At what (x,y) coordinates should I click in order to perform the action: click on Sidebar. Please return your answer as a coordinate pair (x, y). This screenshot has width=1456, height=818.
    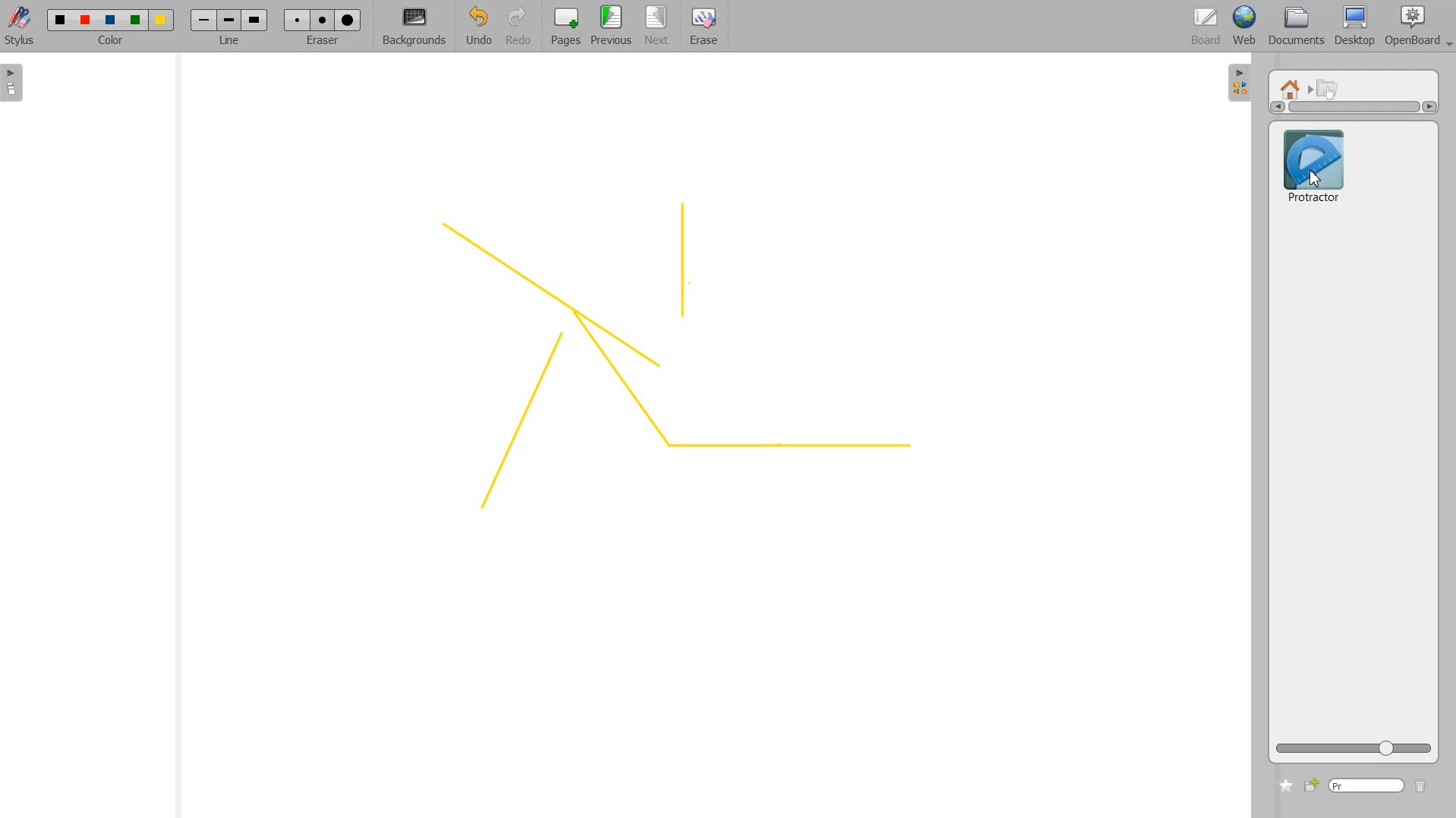
    Looking at the image, I should click on (17, 83).